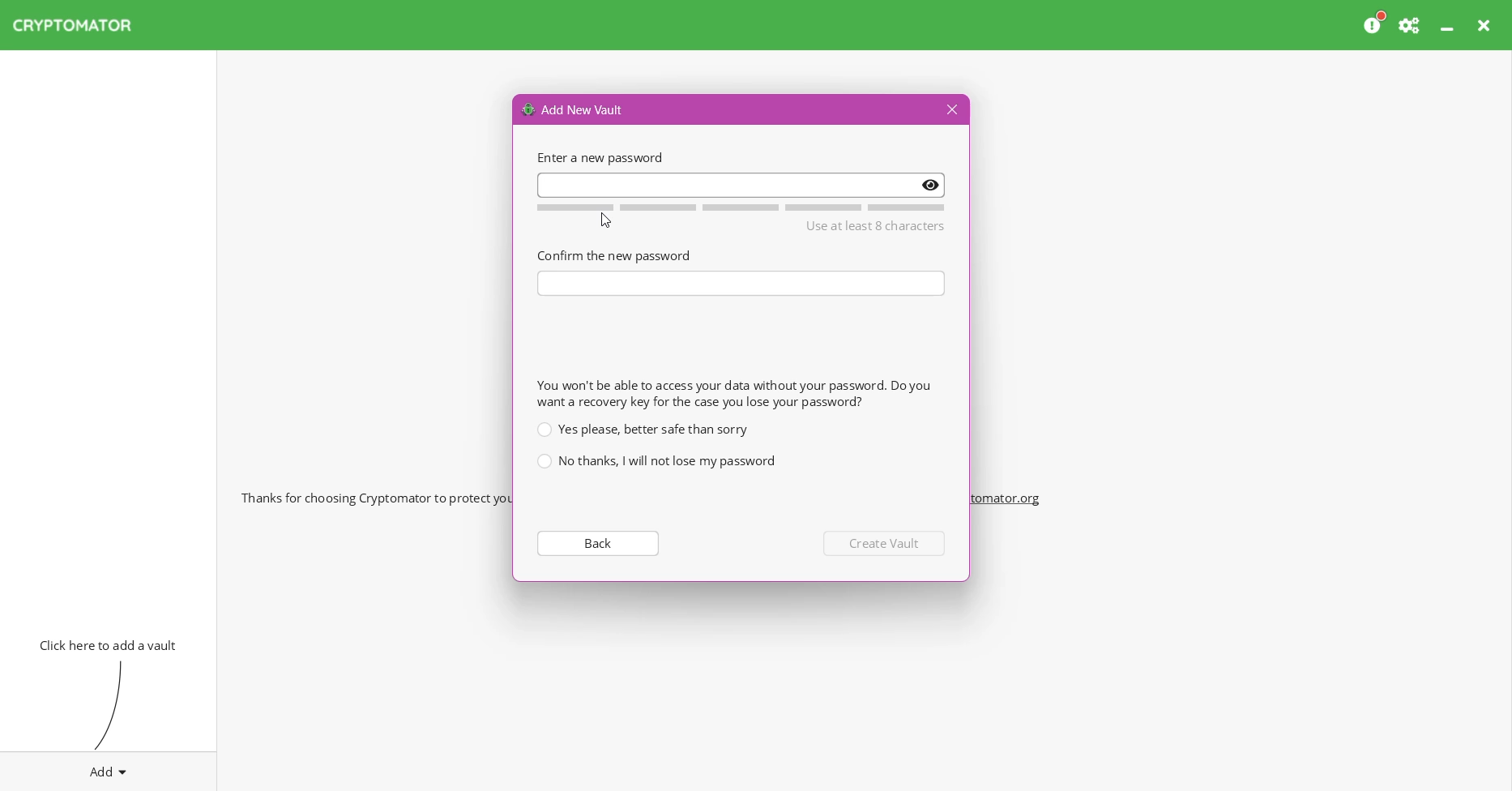  I want to click on Minimize, so click(1449, 25).